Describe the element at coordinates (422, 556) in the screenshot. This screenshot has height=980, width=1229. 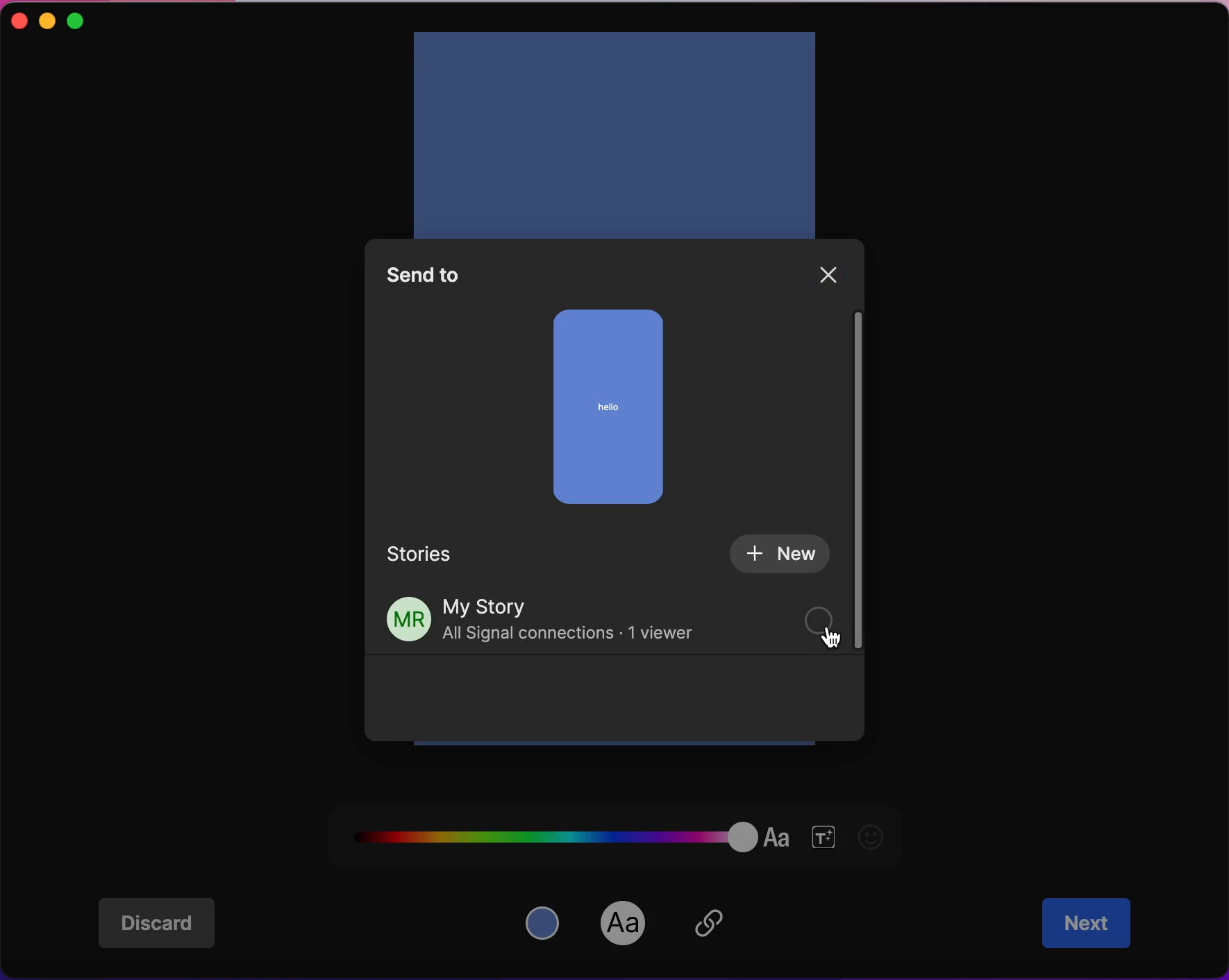
I see `stories` at that location.